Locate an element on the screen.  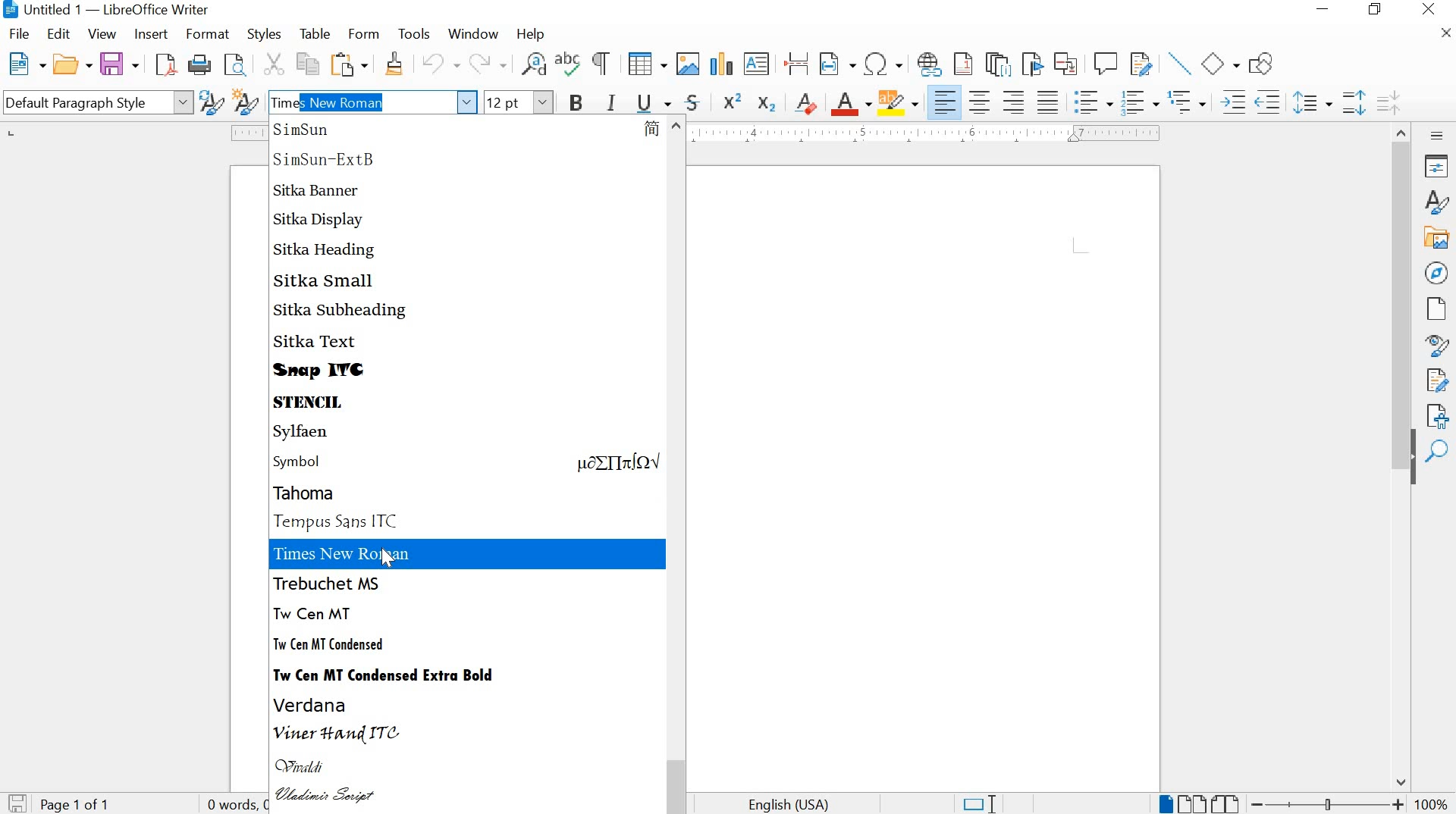
SCROLLBAR is located at coordinates (1403, 456).